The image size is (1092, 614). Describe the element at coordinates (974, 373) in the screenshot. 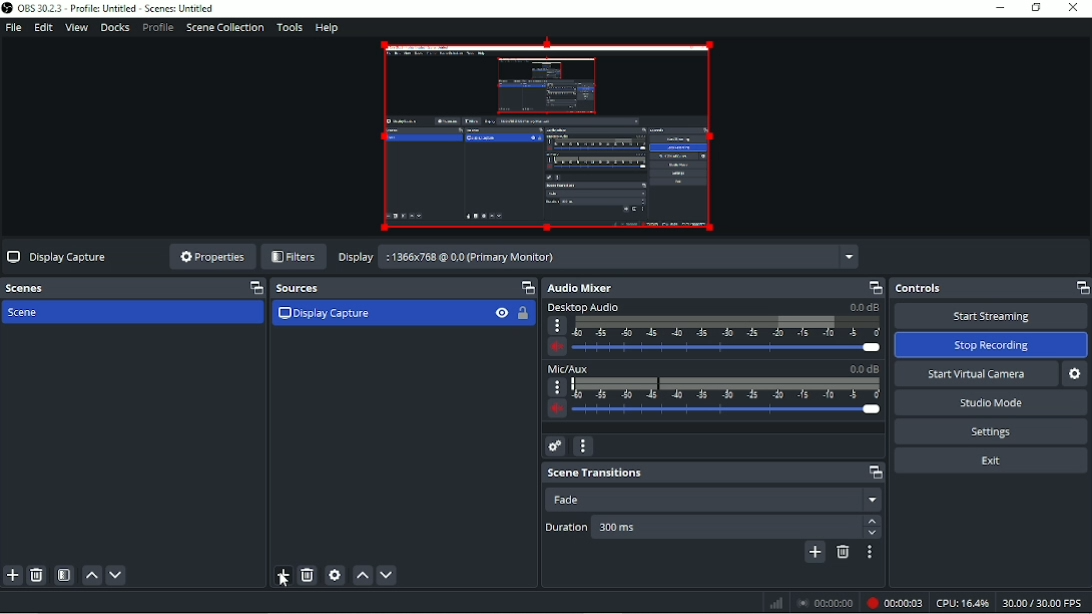

I see `Start virtual camera` at that location.